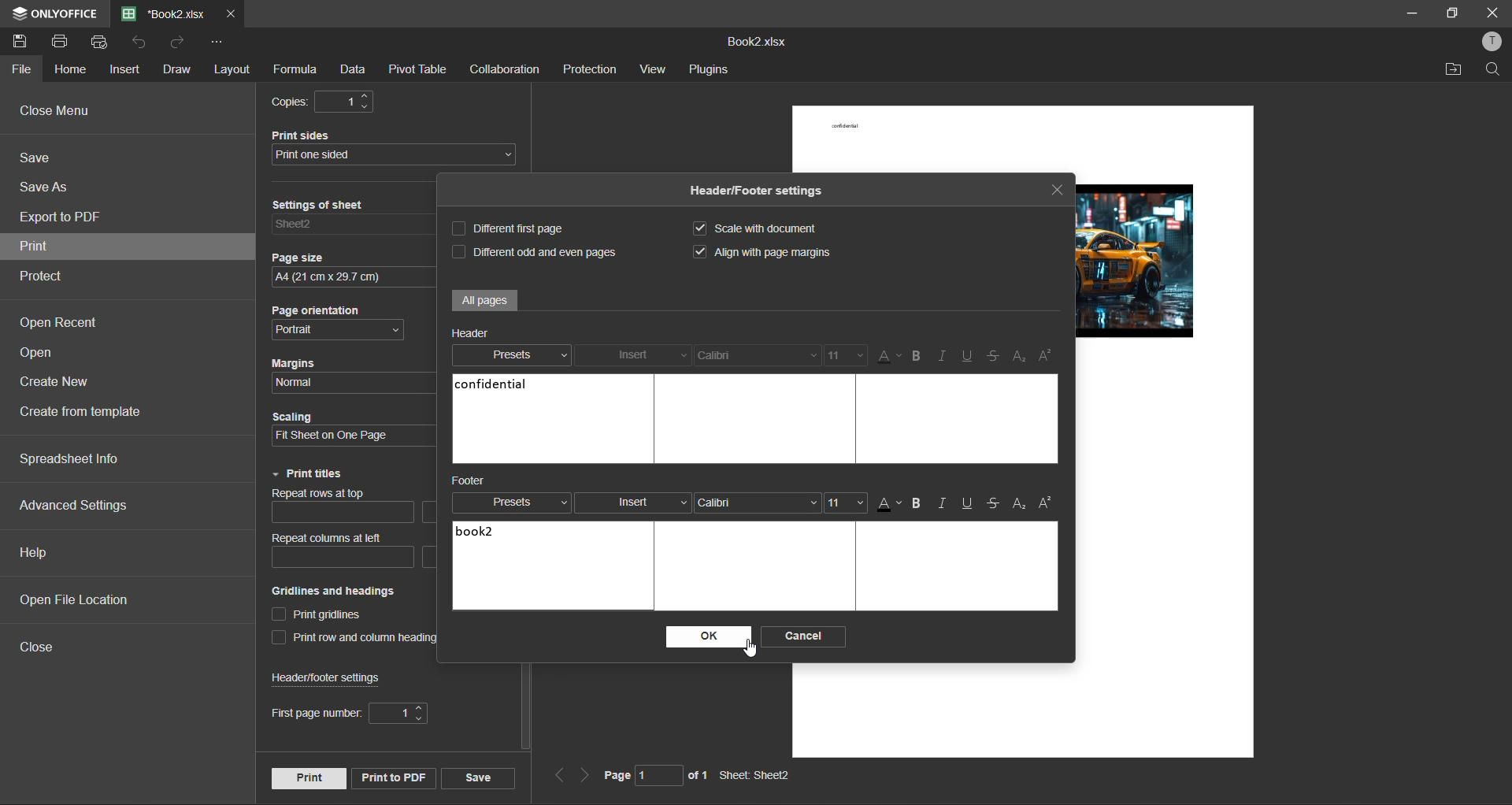  What do you see at coordinates (394, 778) in the screenshot?
I see `print to pdf` at bounding box center [394, 778].